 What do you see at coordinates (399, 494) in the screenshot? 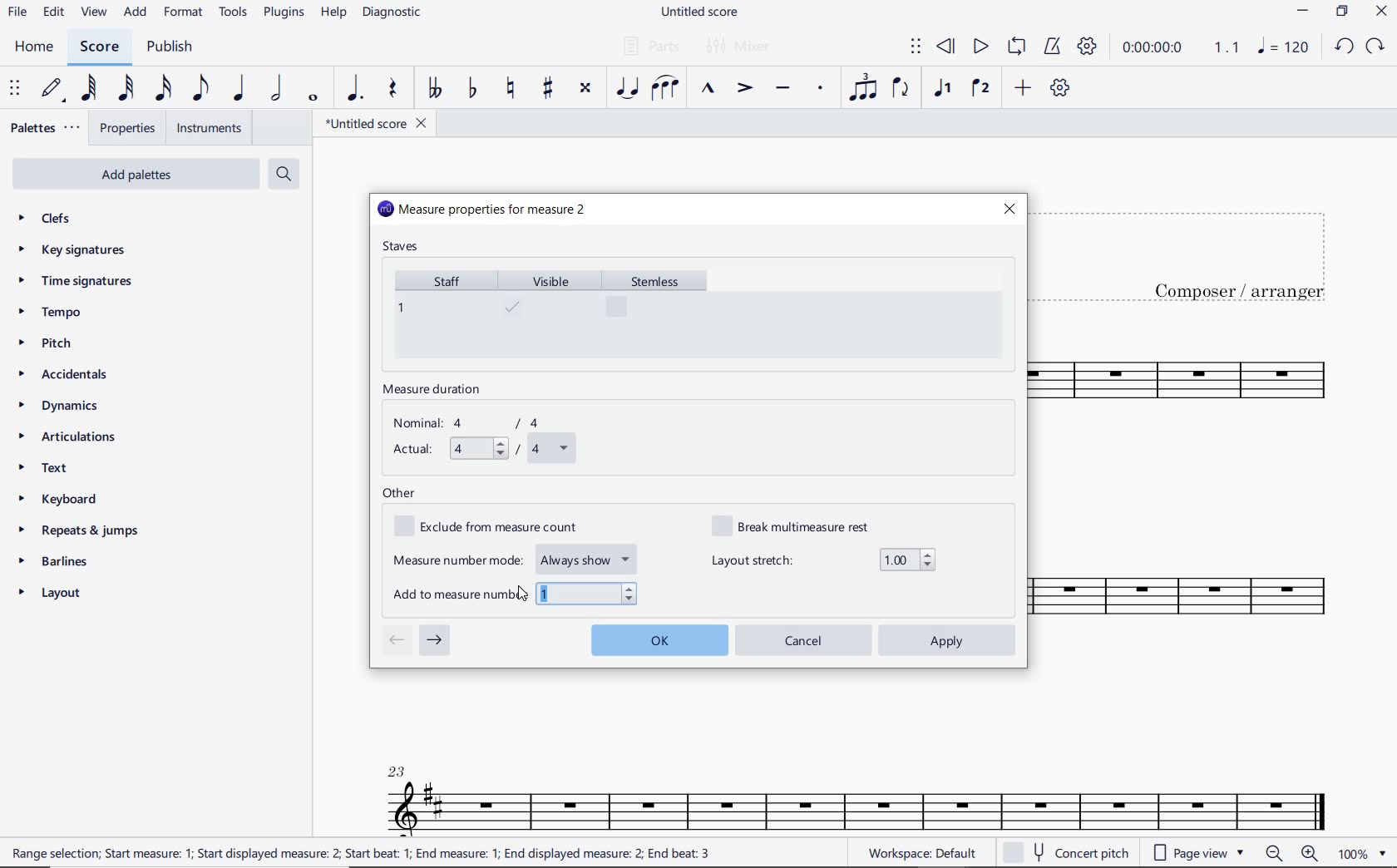
I see `other` at bounding box center [399, 494].